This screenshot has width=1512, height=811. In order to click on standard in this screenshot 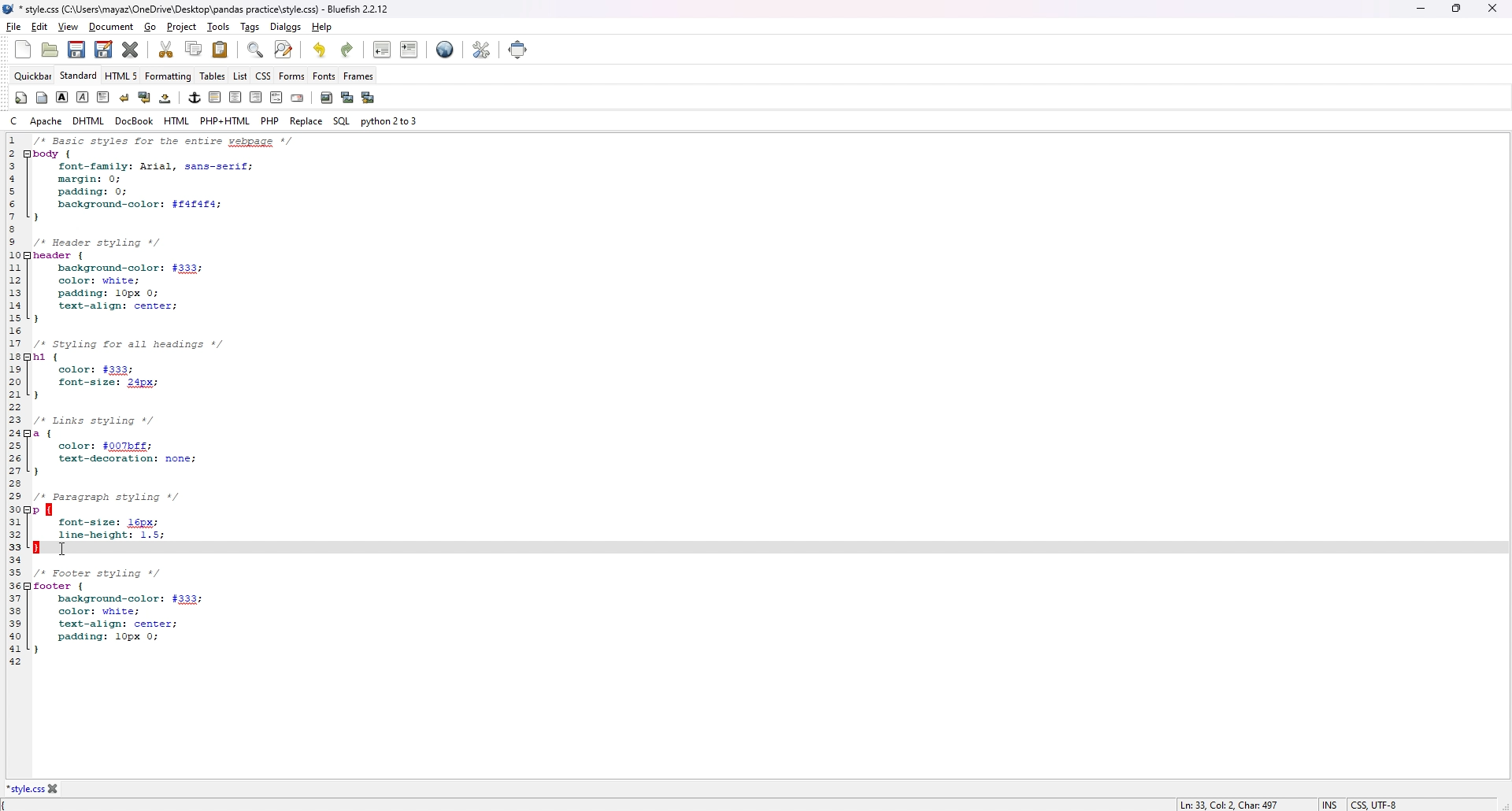, I will do `click(80, 76)`.